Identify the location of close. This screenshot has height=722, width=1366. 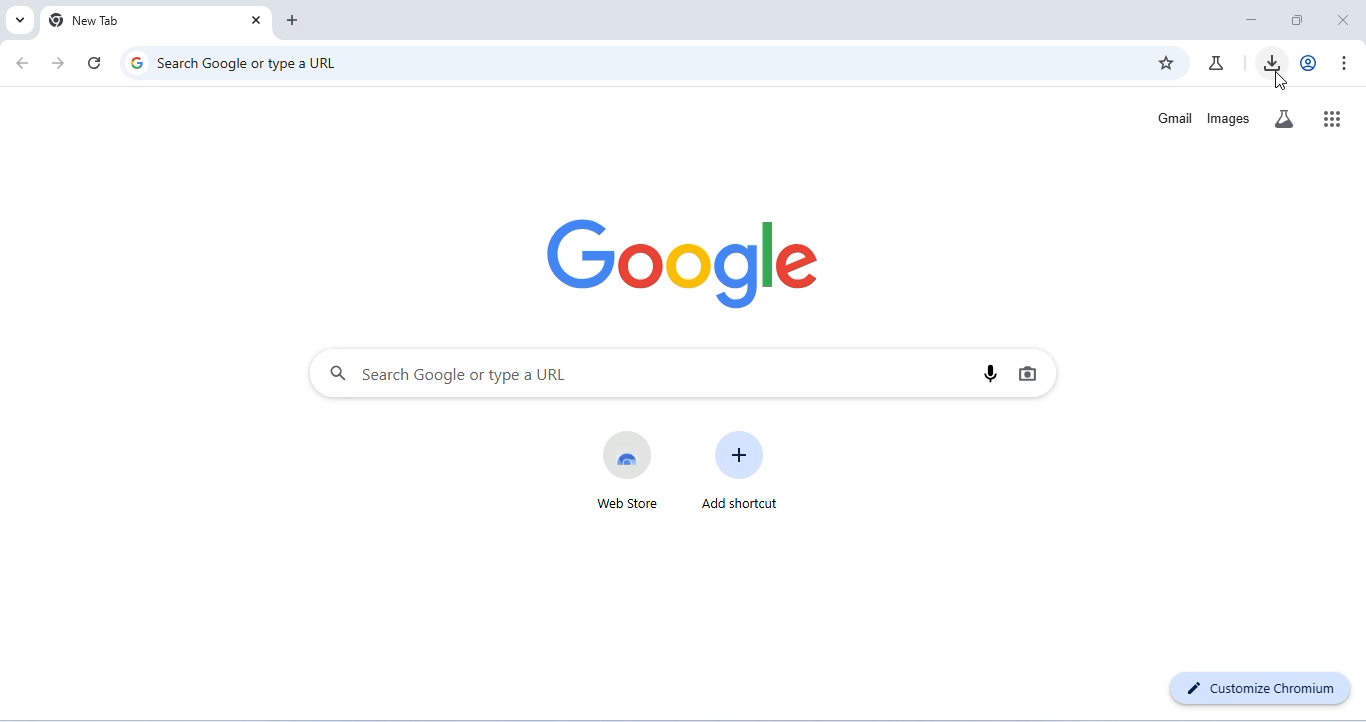
(1341, 20).